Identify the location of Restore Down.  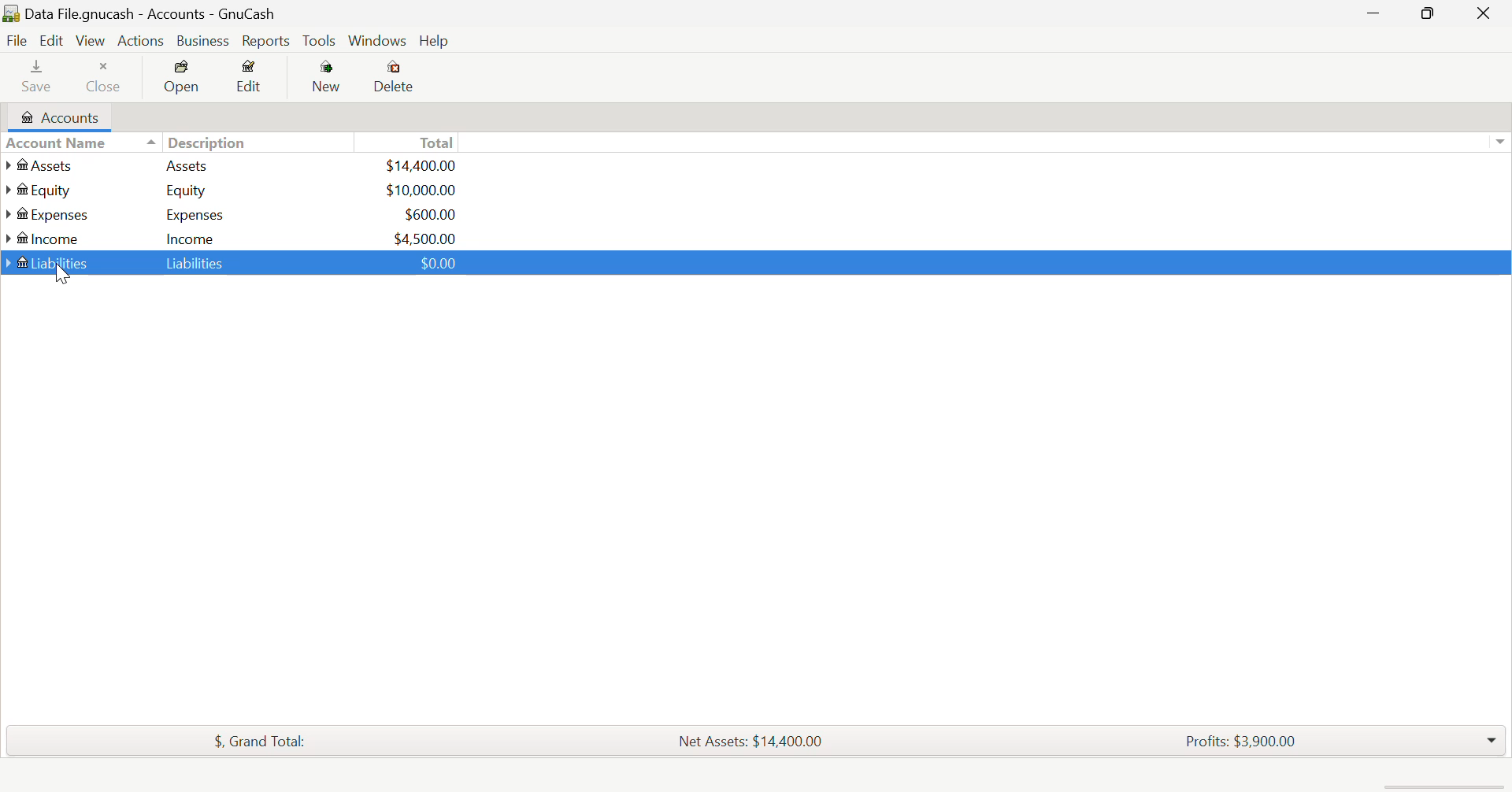
(1374, 15).